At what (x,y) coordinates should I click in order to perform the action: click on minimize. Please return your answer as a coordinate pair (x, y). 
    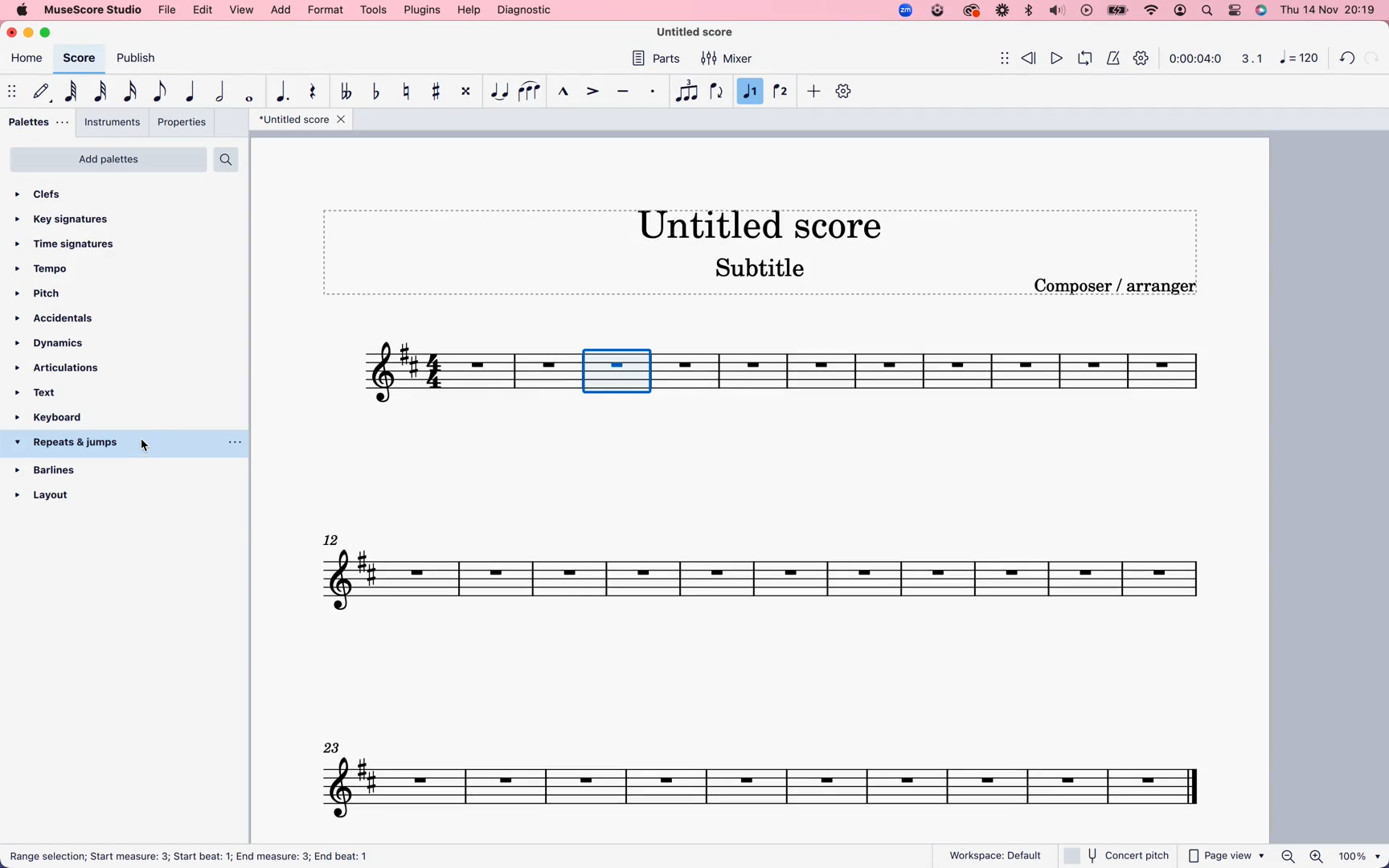
    Looking at the image, I should click on (31, 33).